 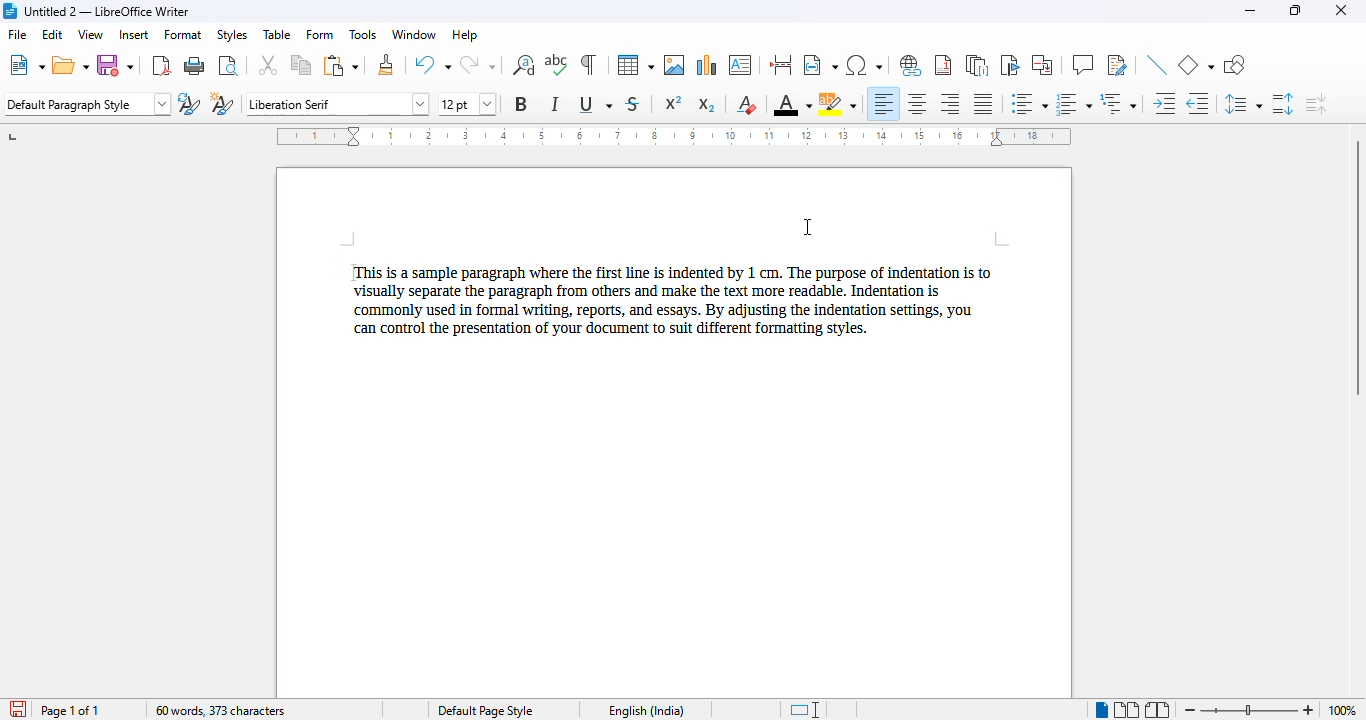 I want to click on zoom in, so click(x=1309, y=711).